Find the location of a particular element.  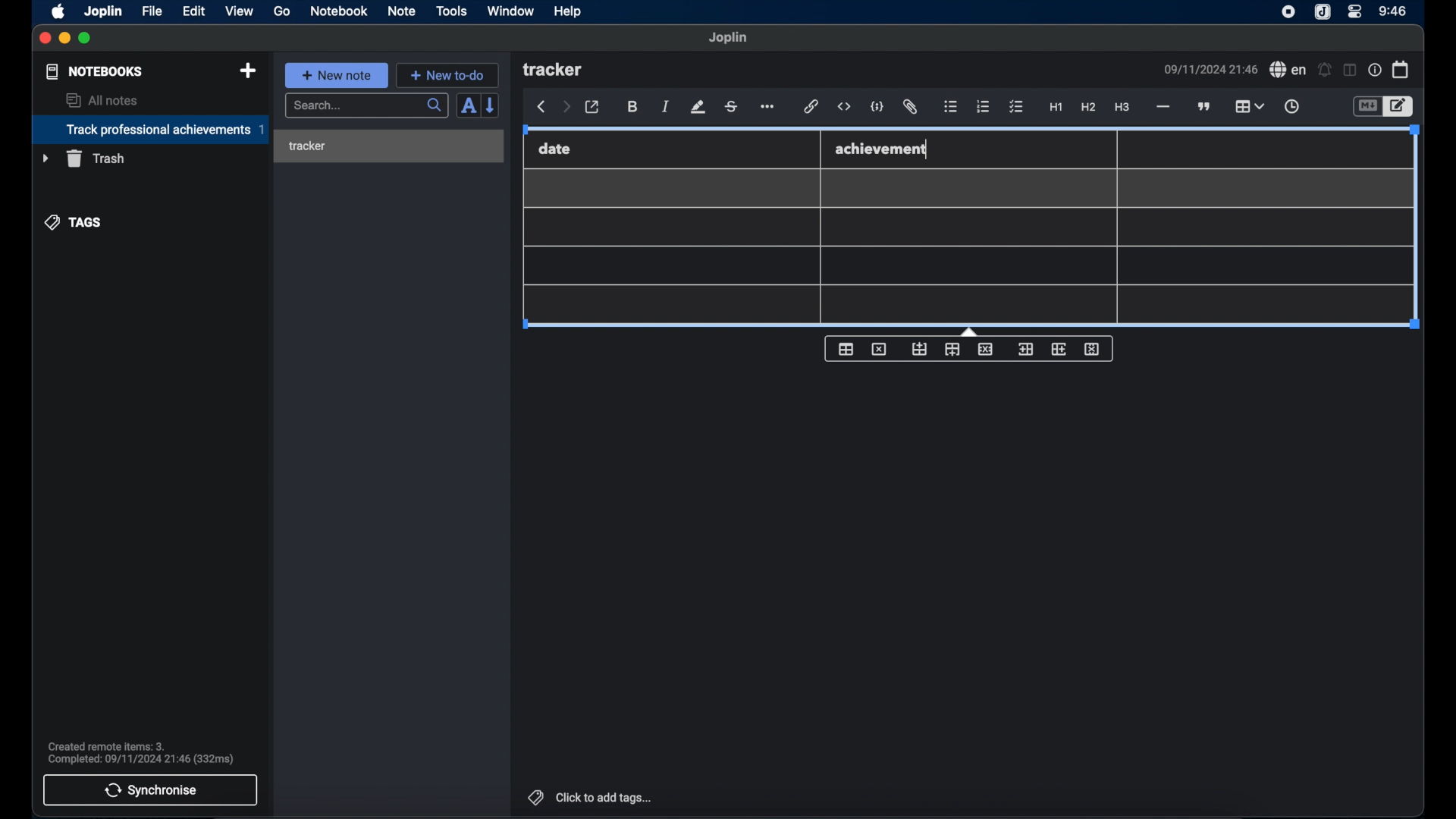

heading 3 is located at coordinates (1123, 108).